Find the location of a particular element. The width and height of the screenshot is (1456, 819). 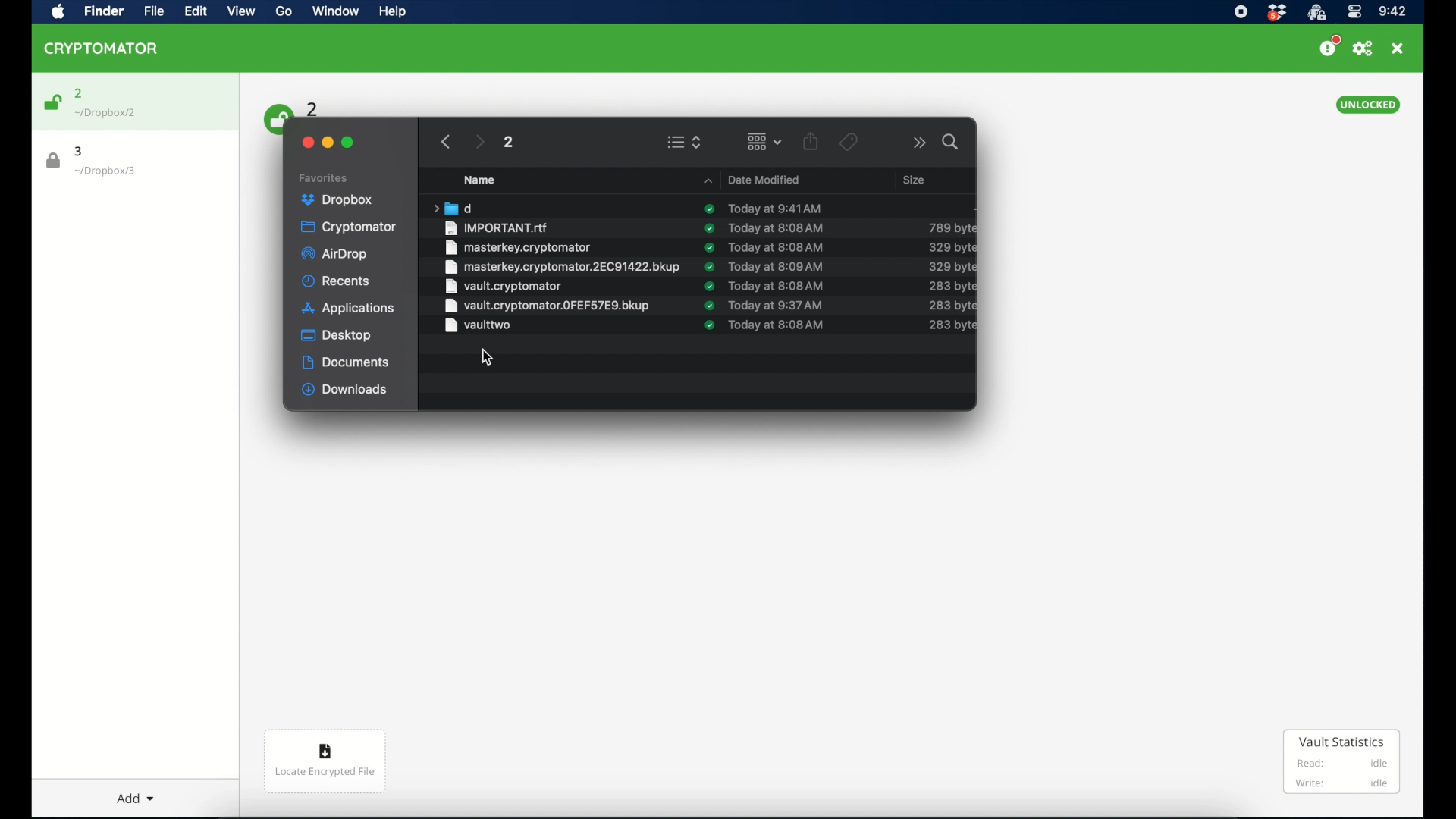

sync is located at coordinates (708, 306).